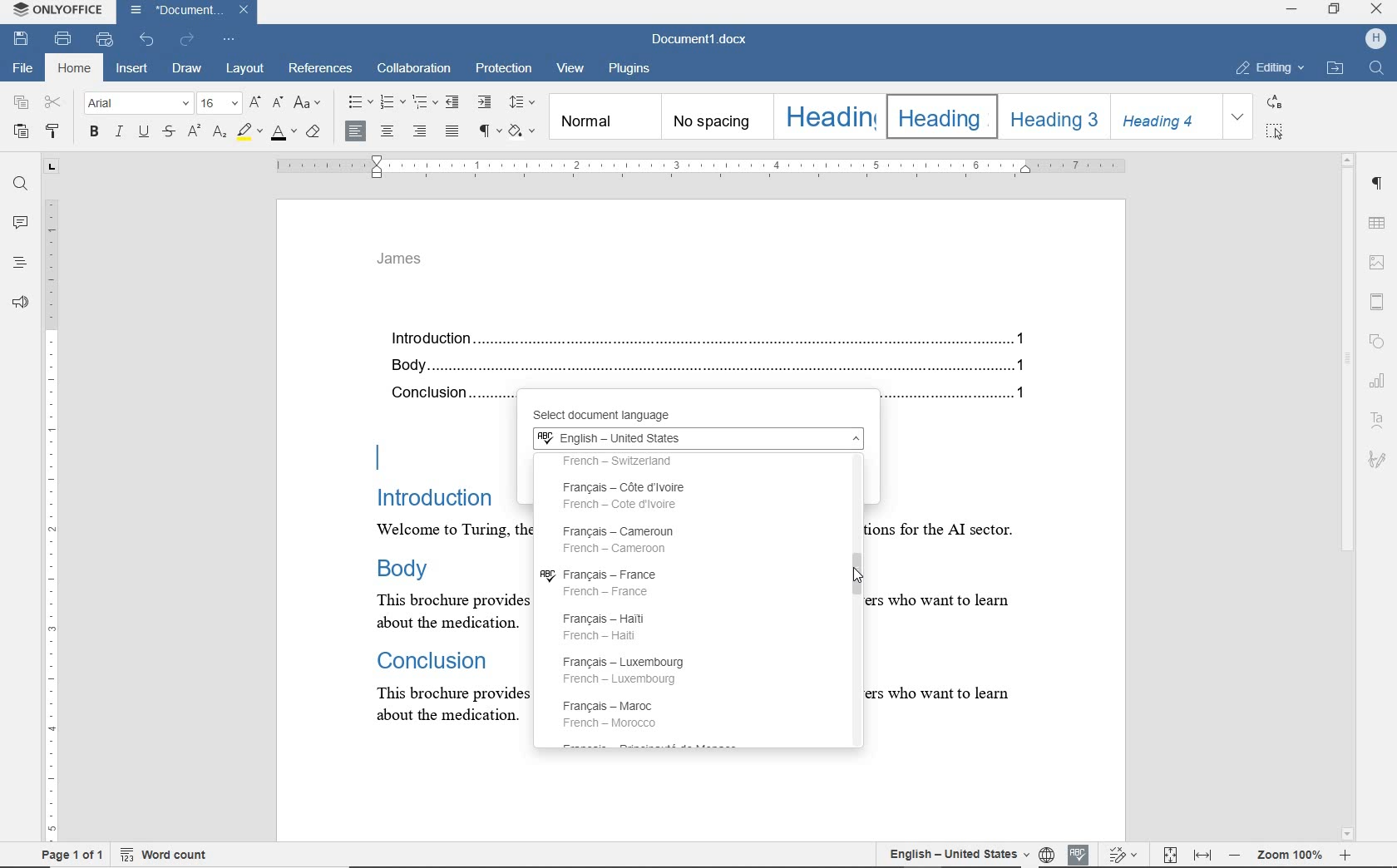 This screenshot has height=868, width=1397. What do you see at coordinates (173, 854) in the screenshot?
I see `word count` at bounding box center [173, 854].